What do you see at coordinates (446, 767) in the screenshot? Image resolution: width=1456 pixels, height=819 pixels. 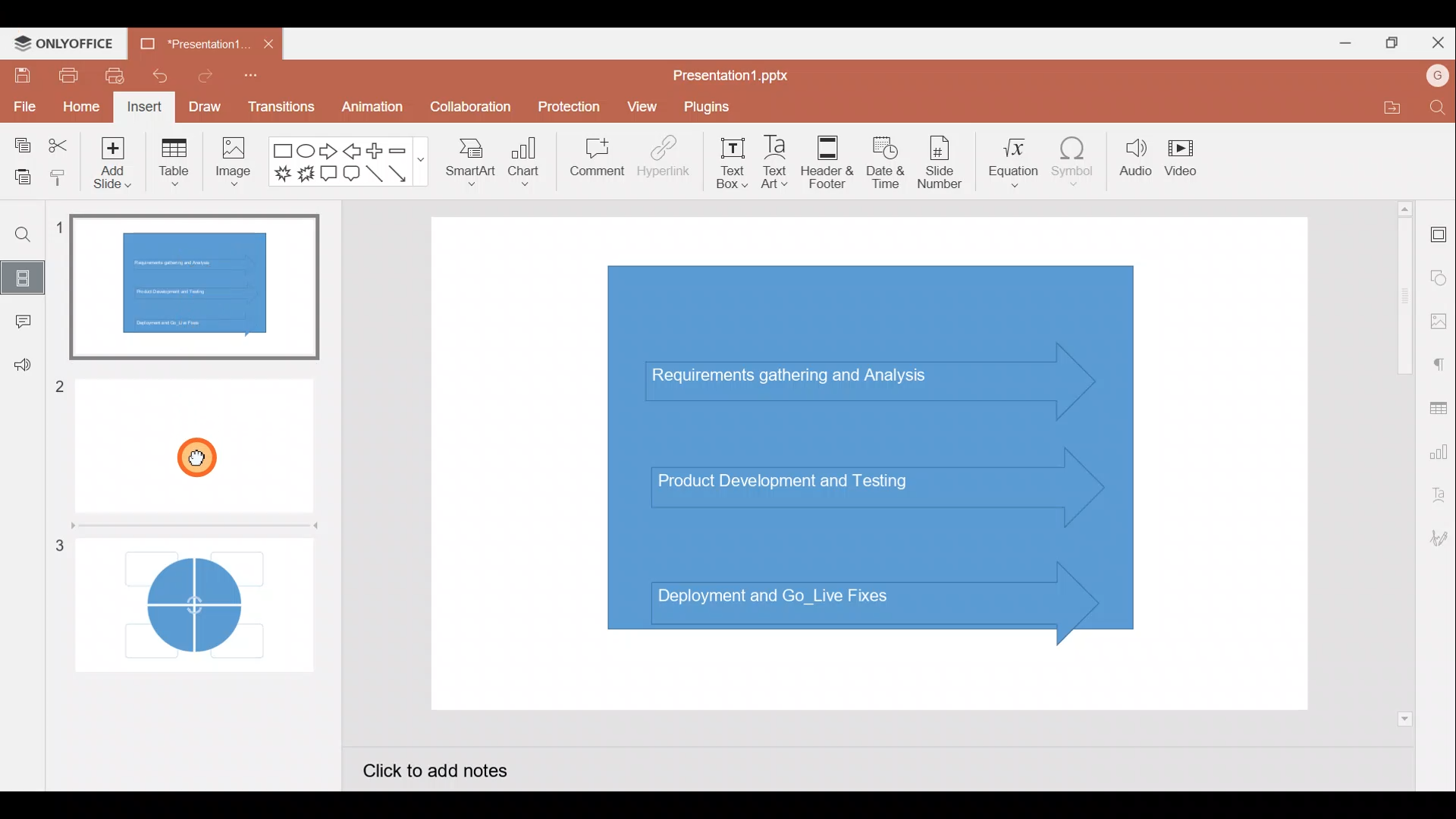 I see `Click to add notes` at bounding box center [446, 767].